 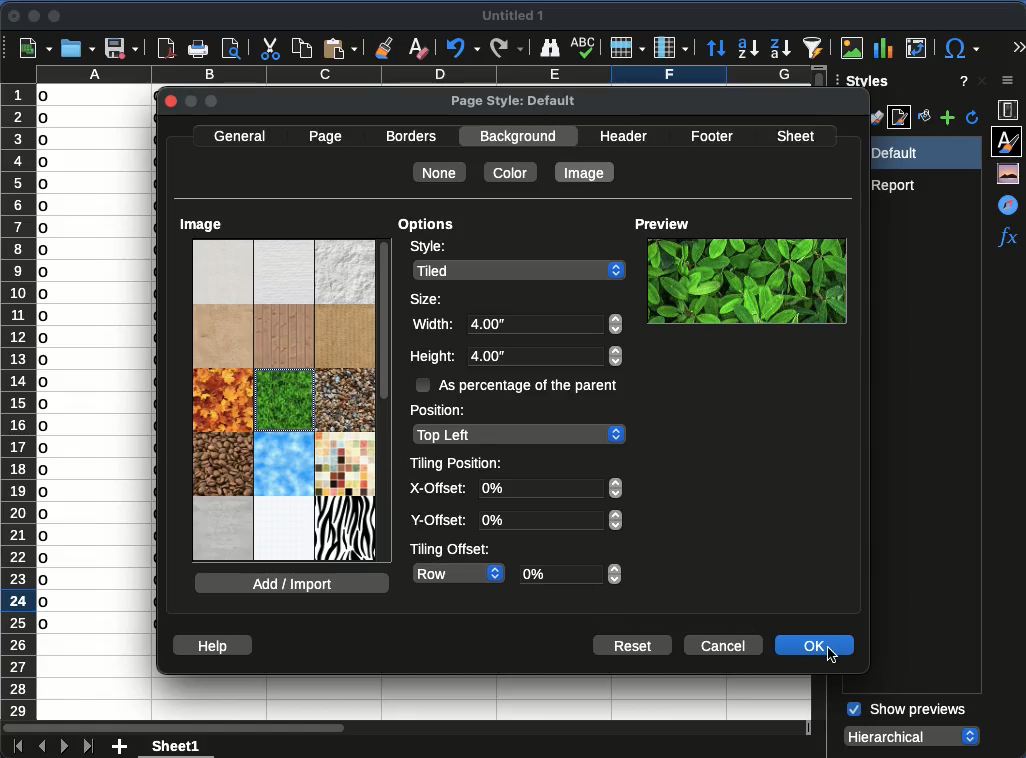 I want to click on previous sheet, so click(x=40, y=747).